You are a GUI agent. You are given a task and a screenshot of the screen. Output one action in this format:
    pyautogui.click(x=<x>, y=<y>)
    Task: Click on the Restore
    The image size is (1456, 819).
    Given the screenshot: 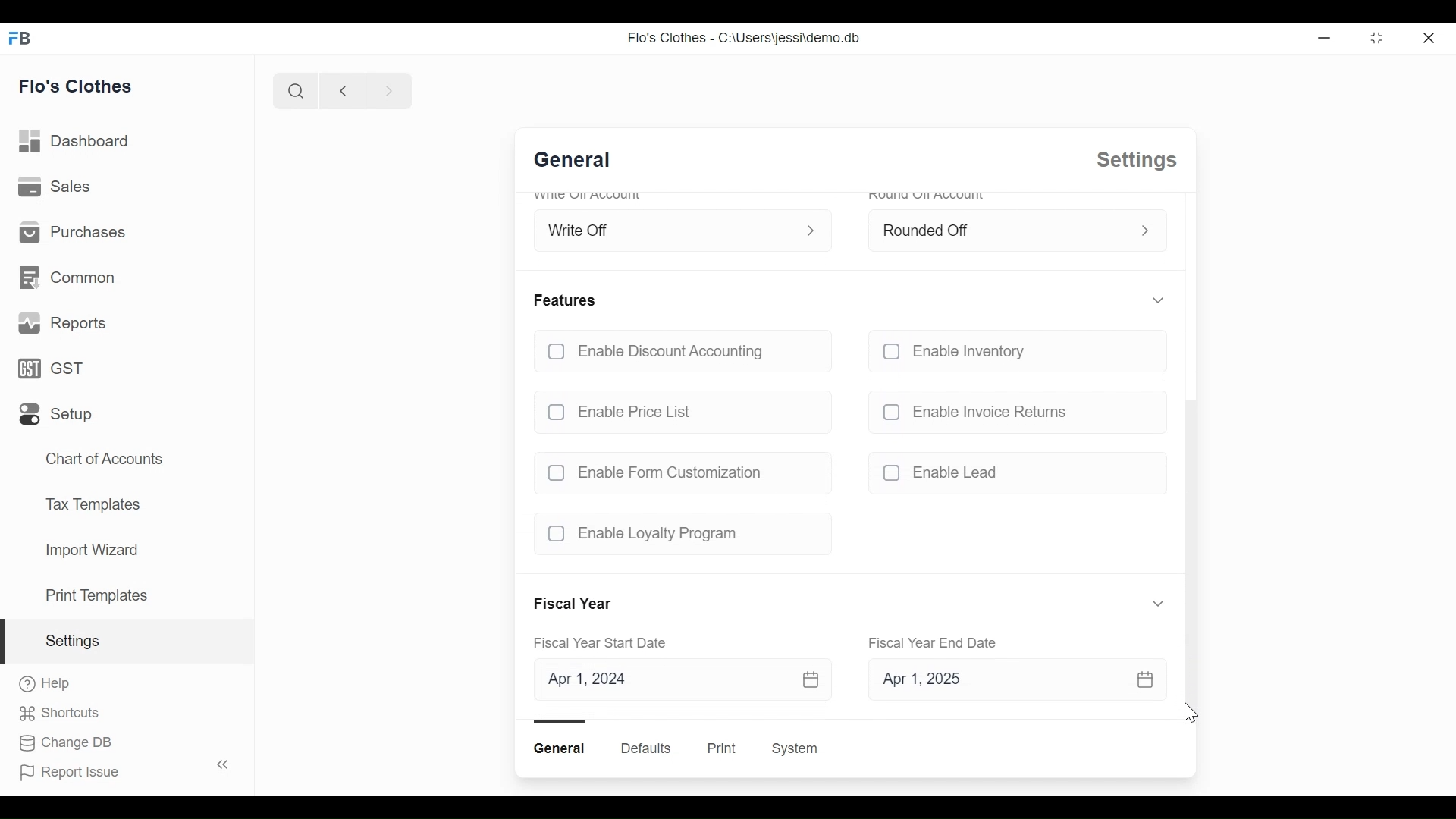 What is the action you would take?
    pyautogui.click(x=1376, y=37)
    